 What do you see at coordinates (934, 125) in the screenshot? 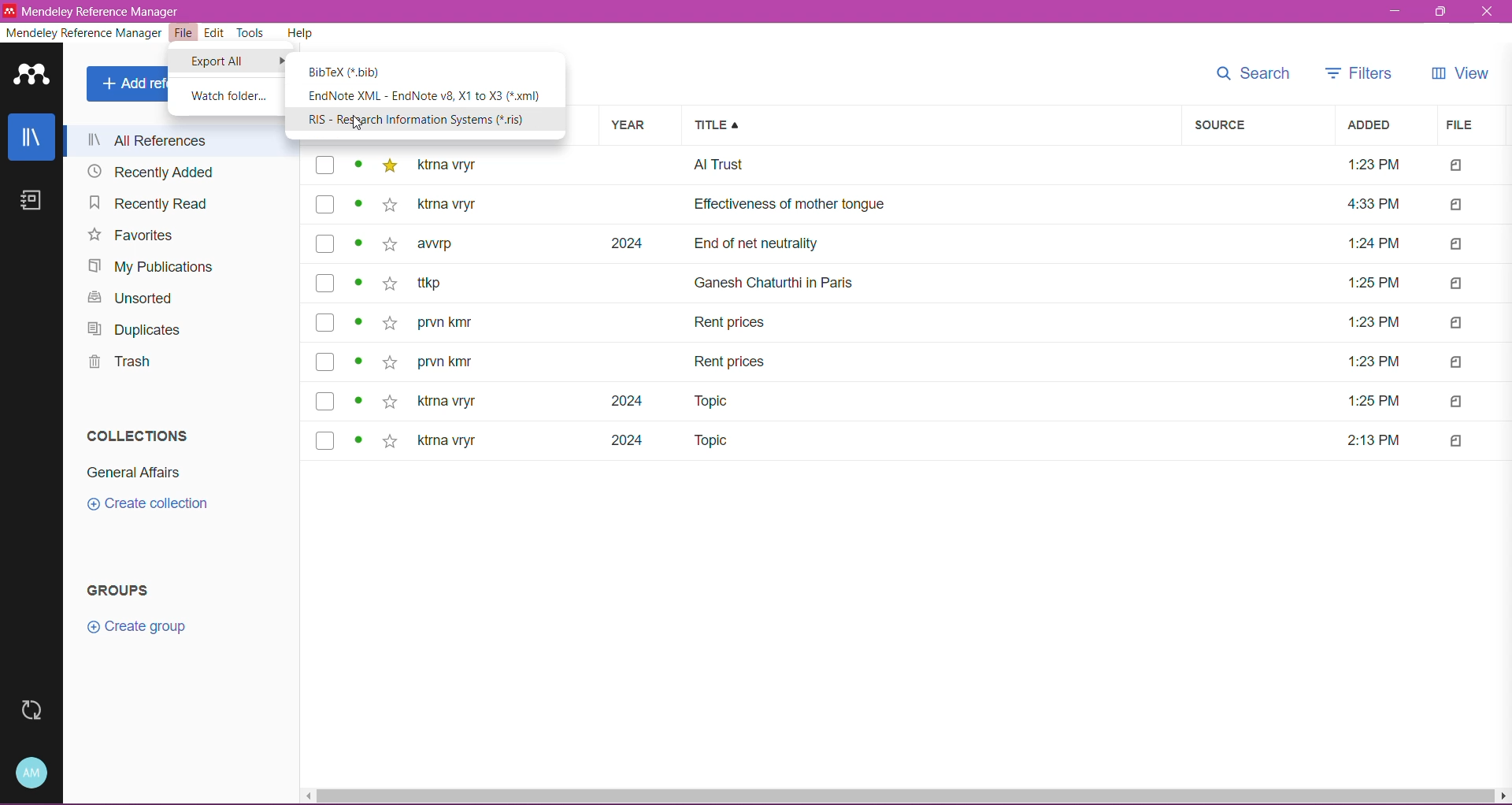
I see `Title` at bounding box center [934, 125].